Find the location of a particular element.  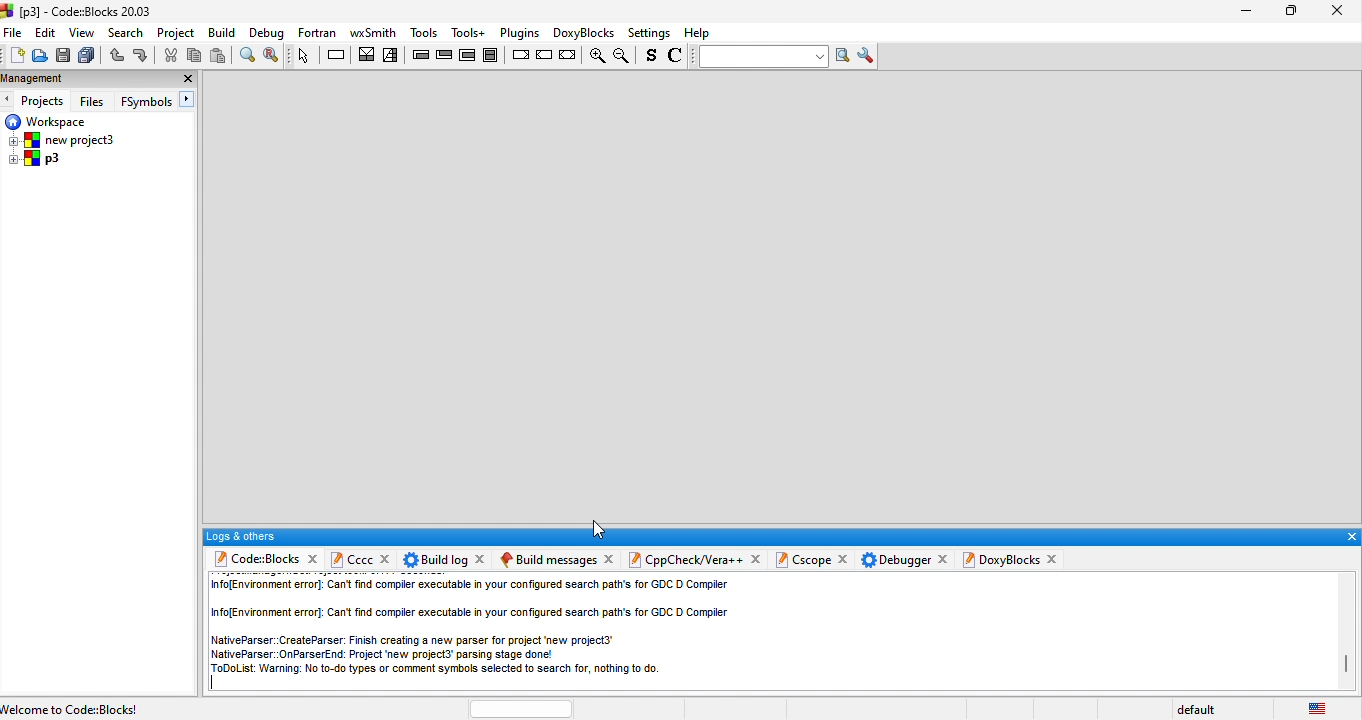

plugins is located at coordinates (517, 33).